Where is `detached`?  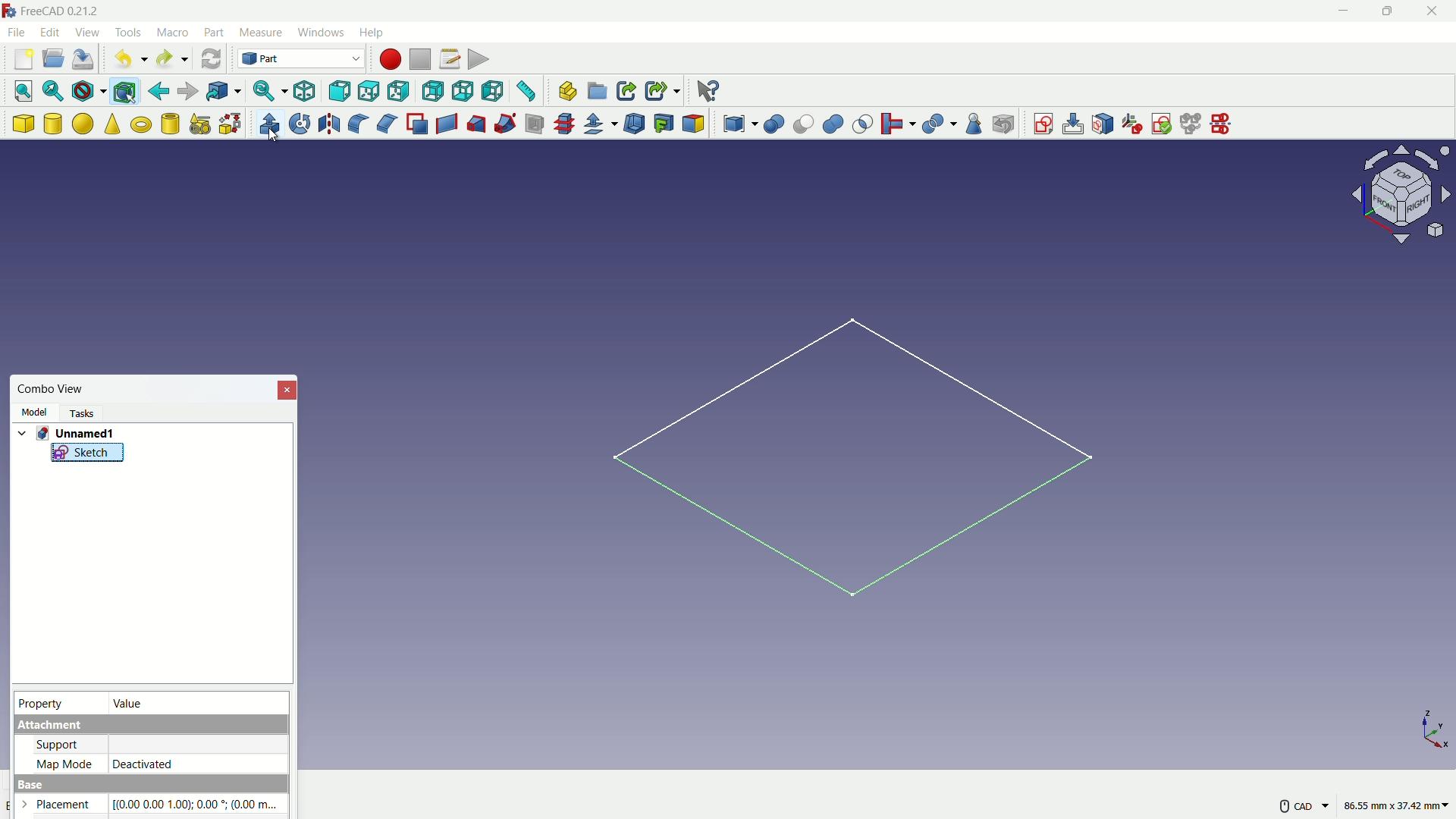
detached is located at coordinates (197, 763).